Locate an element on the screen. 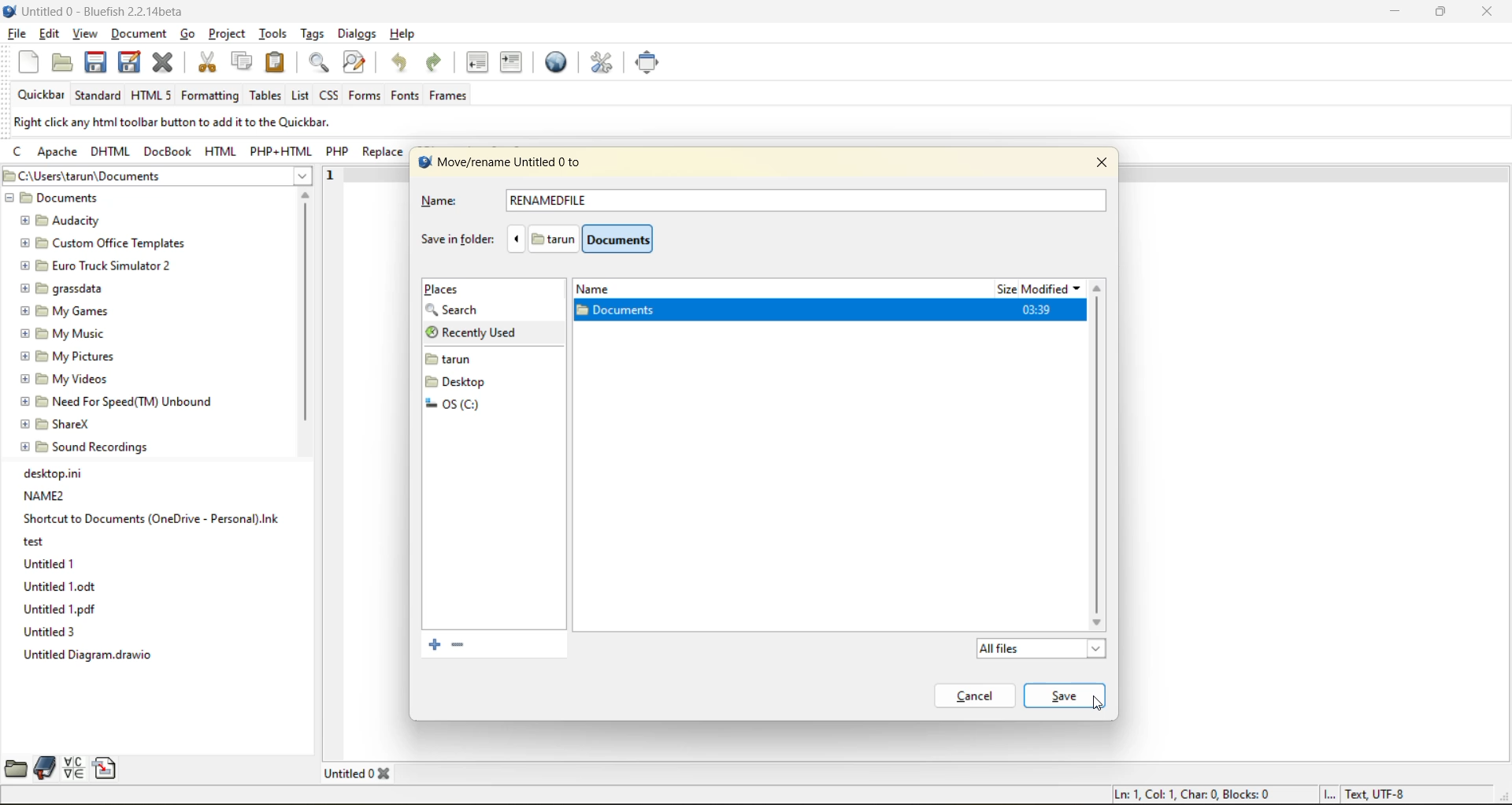  file location is located at coordinates (141, 176).